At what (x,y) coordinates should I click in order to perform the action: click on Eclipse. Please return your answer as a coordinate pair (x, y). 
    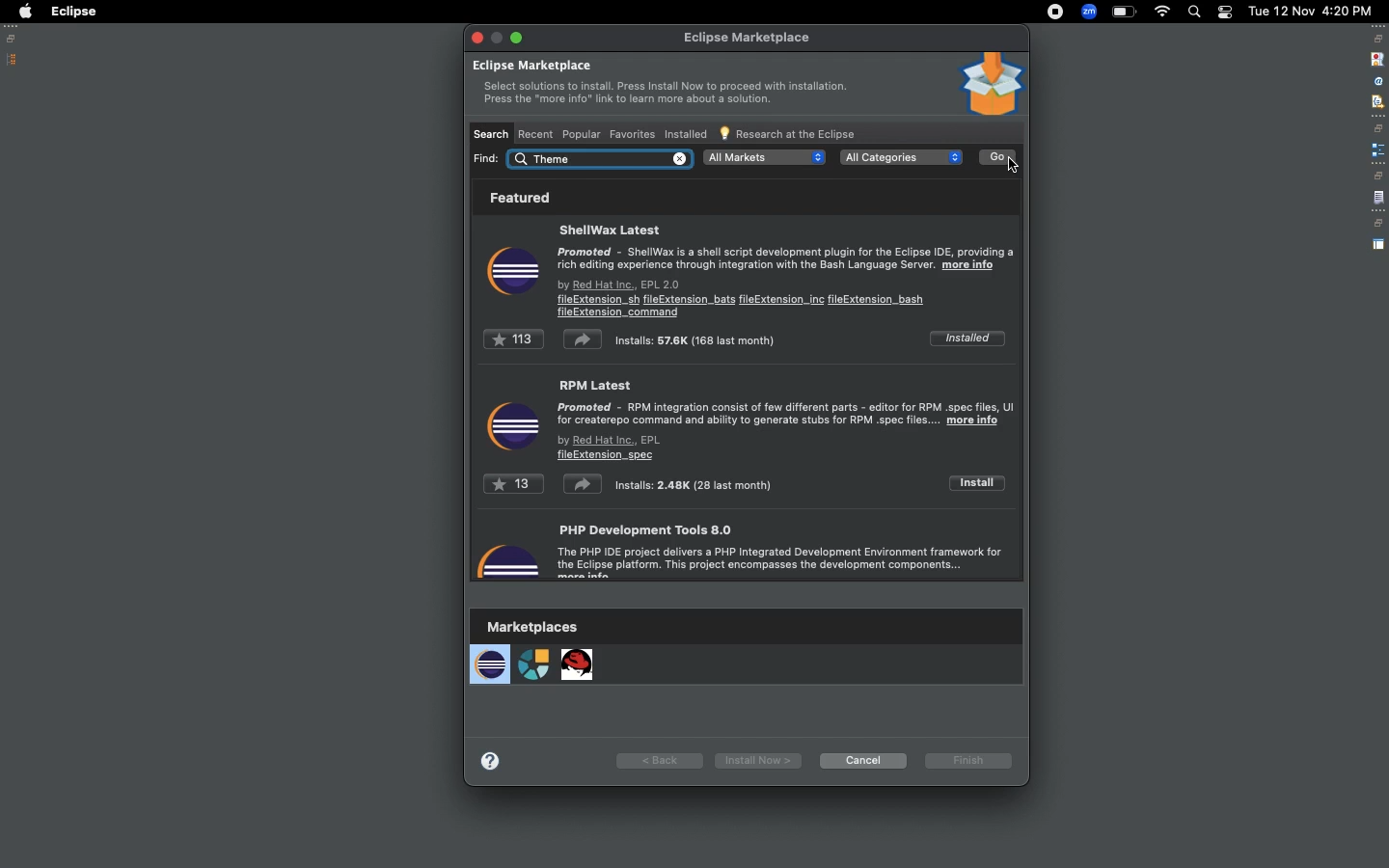
    Looking at the image, I should click on (73, 12).